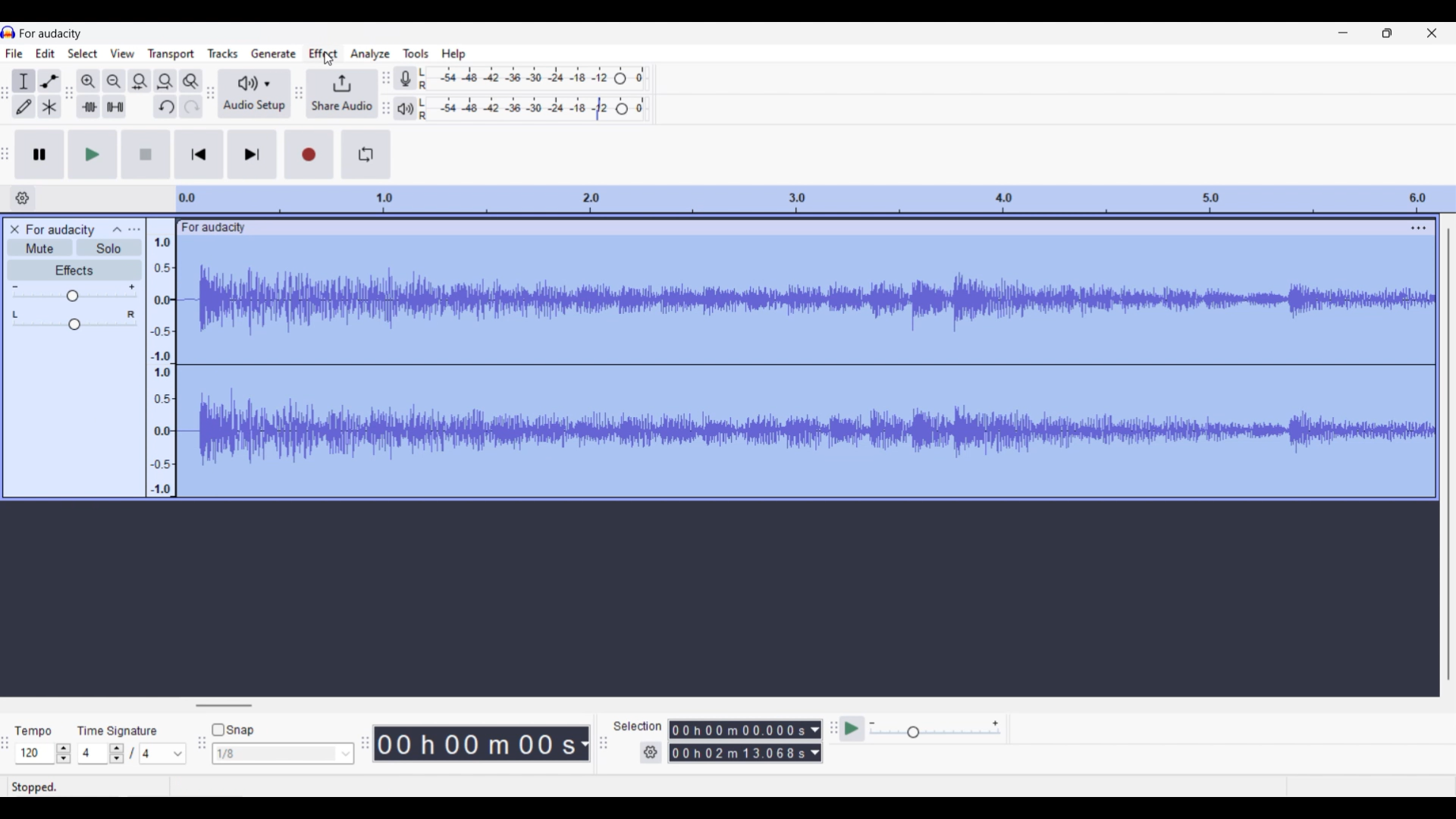 Image resolution: width=1456 pixels, height=819 pixels. What do you see at coordinates (24, 81) in the screenshot?
I see `Selection tool` at bounding box center [24, 81].